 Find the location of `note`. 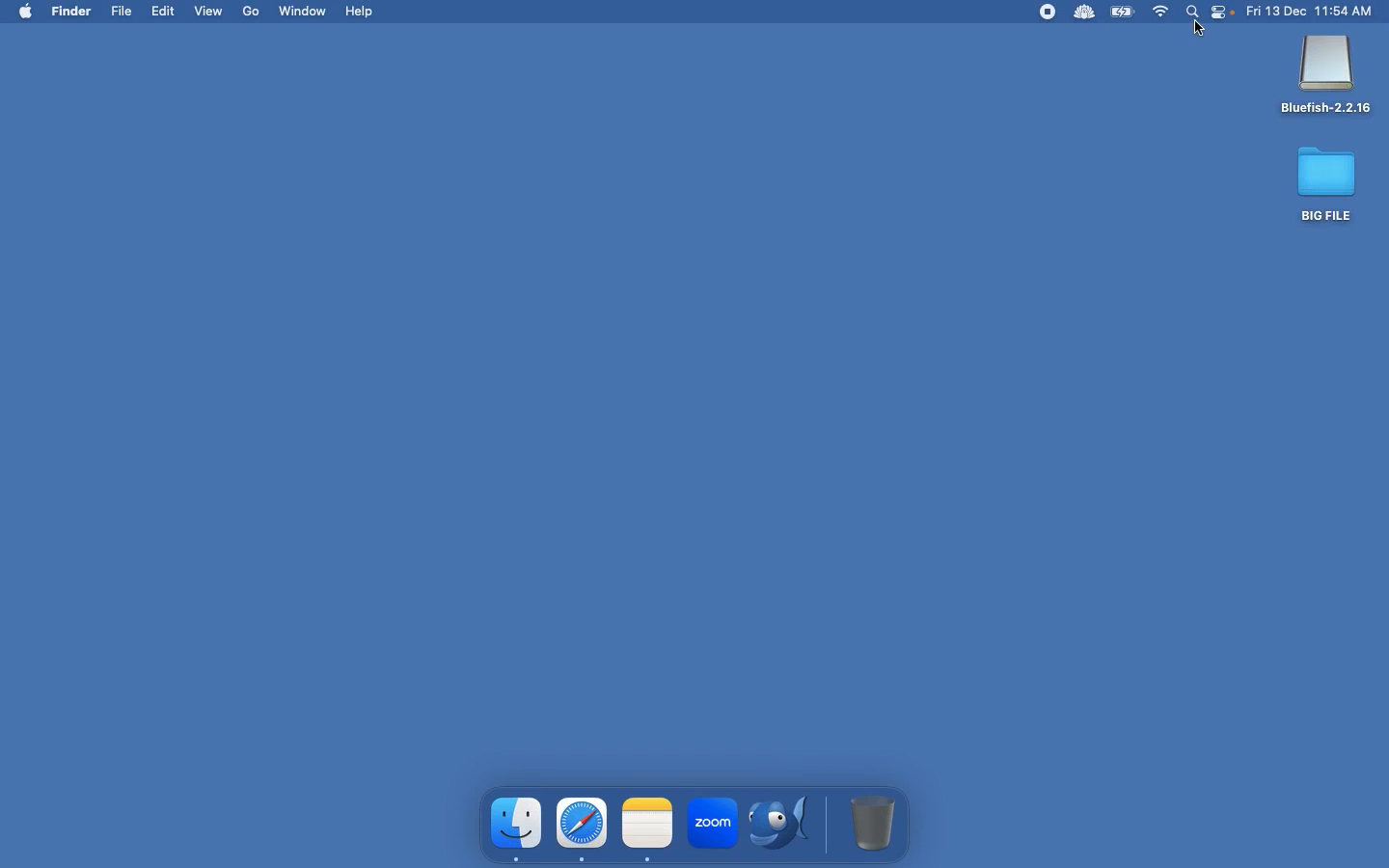

note is located at coordinates (647, 821).